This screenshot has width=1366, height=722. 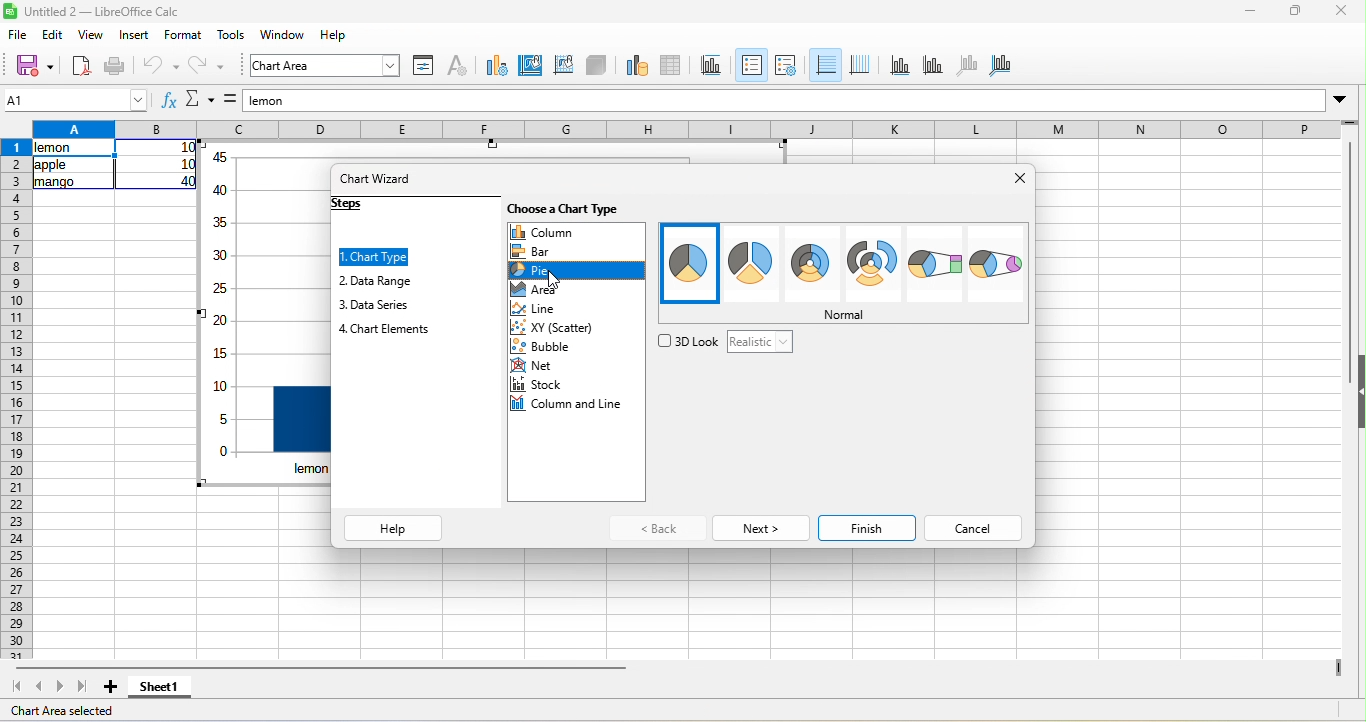 I want to click on data range, so click(x=632, y=64).